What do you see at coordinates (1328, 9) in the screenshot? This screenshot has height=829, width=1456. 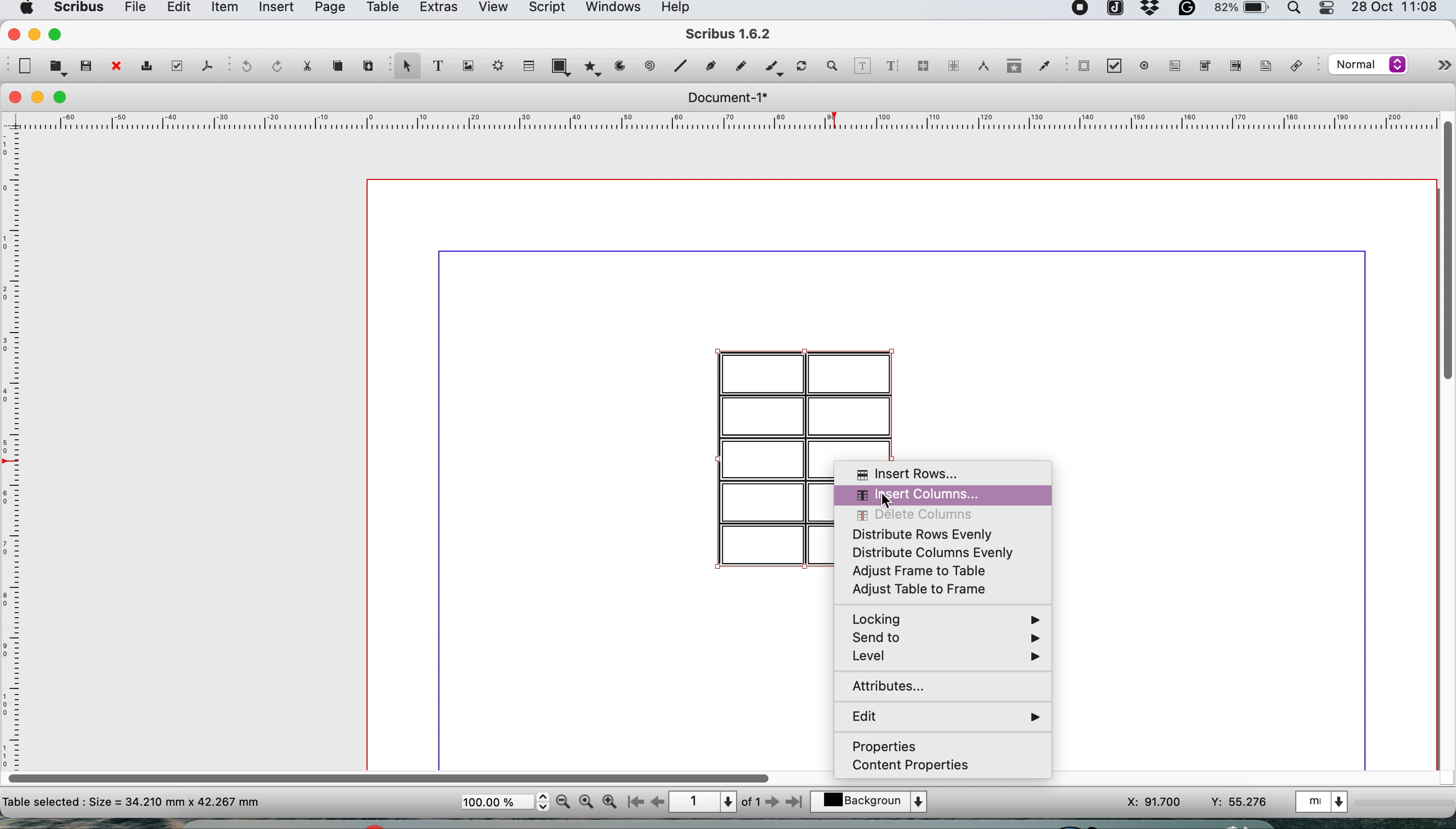 I see `control center` at bounding box center [1328, 9].